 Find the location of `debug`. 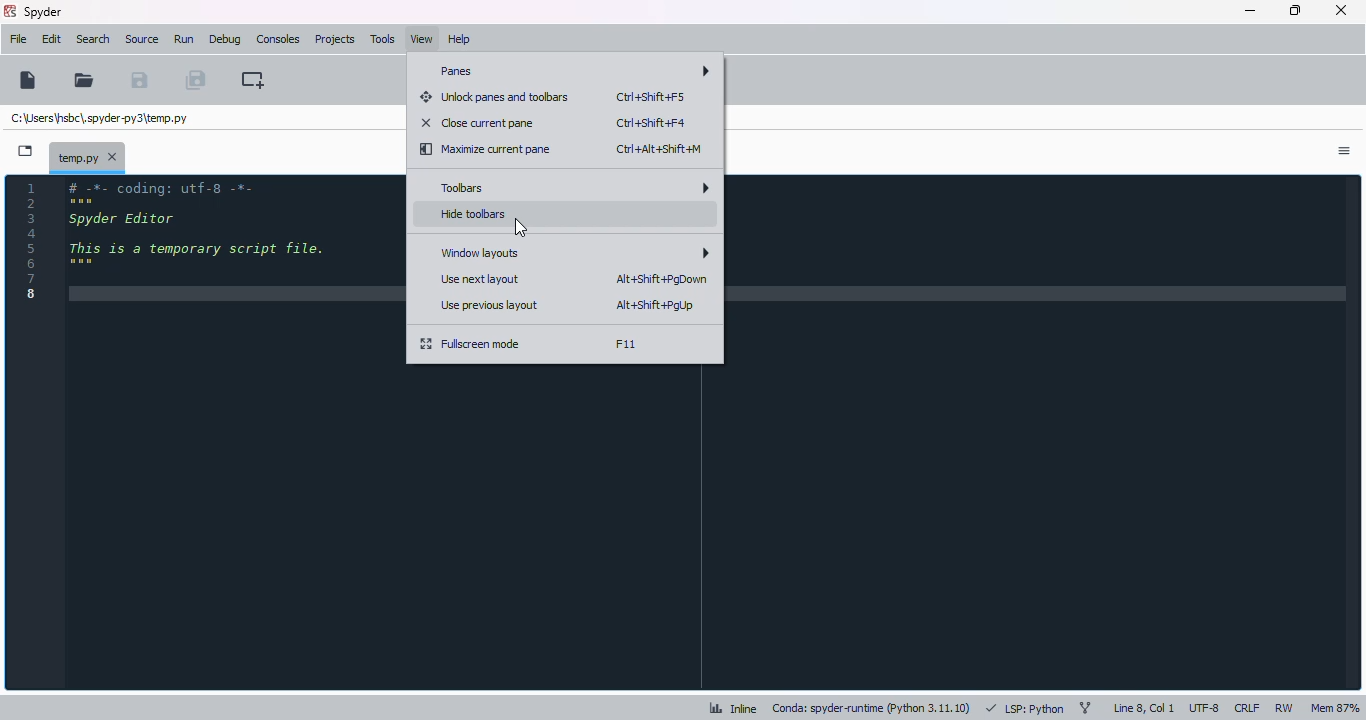

debug is located at coordinates (225, 39).